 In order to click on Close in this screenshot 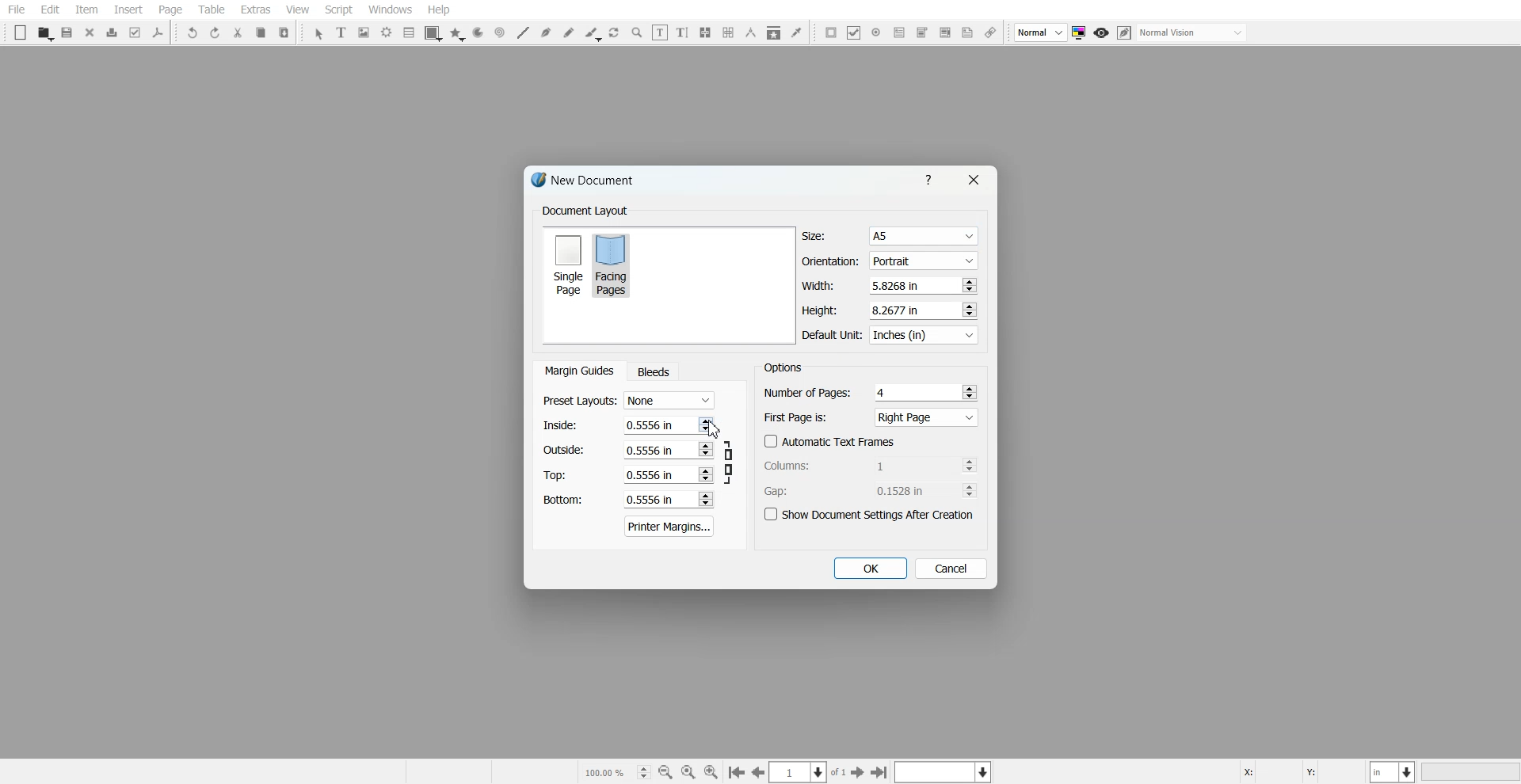, I will do `click(972, 180)`.